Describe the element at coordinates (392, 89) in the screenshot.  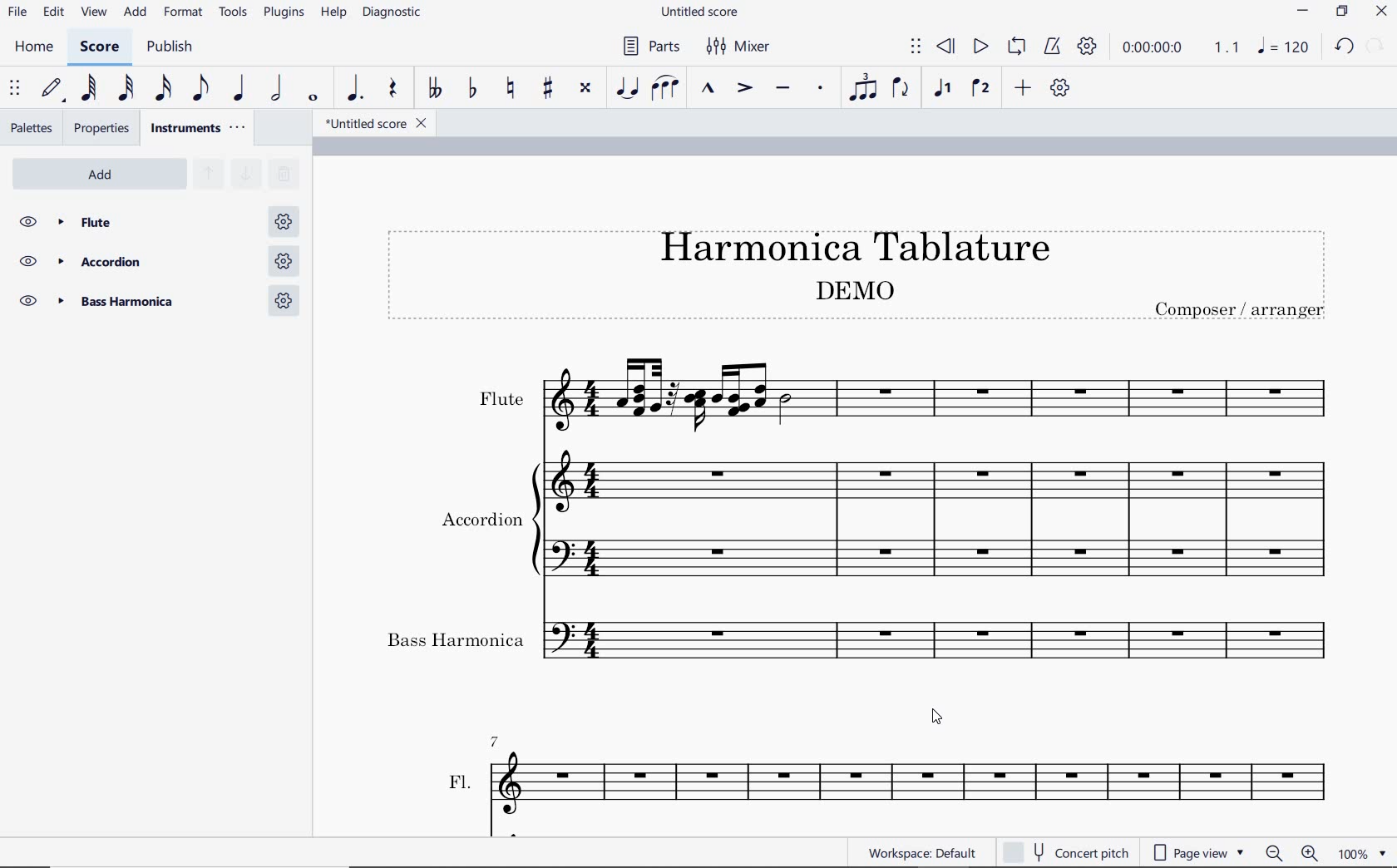
I see `rest` at that location.